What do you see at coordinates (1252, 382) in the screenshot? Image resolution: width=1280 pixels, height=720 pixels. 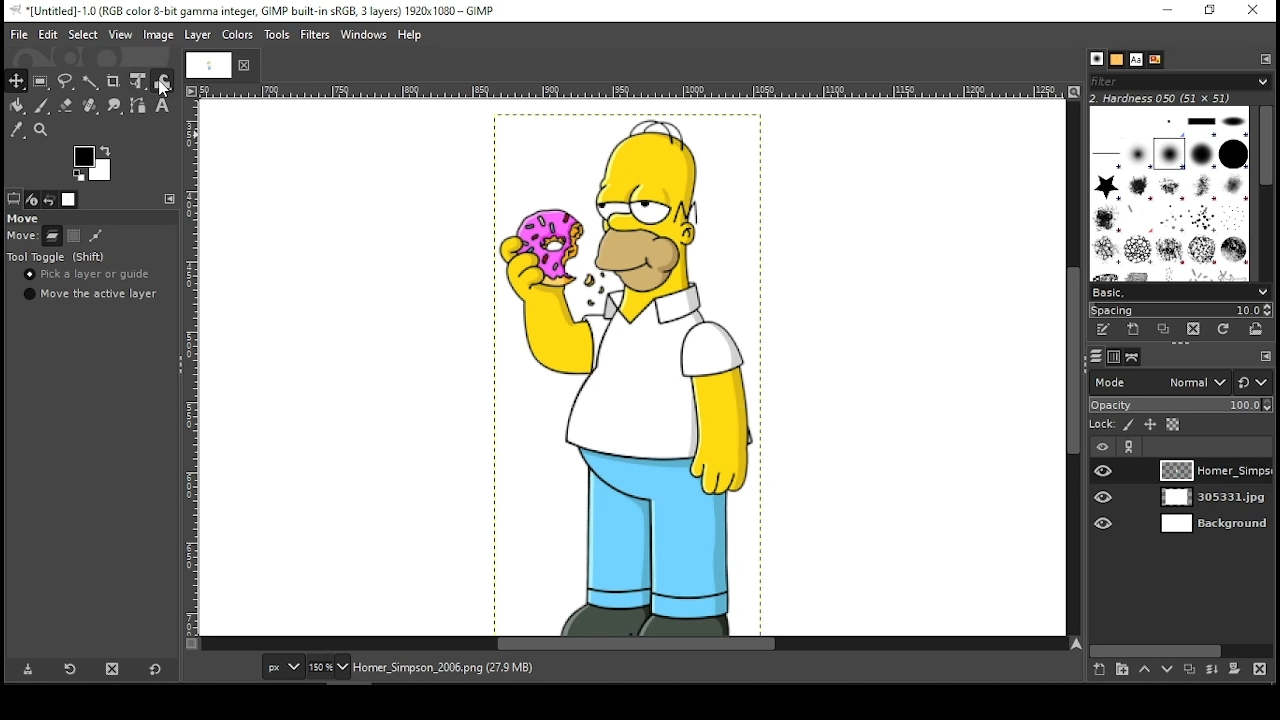 I see `switch to another group of modes` at bounding box center [1252, 382].